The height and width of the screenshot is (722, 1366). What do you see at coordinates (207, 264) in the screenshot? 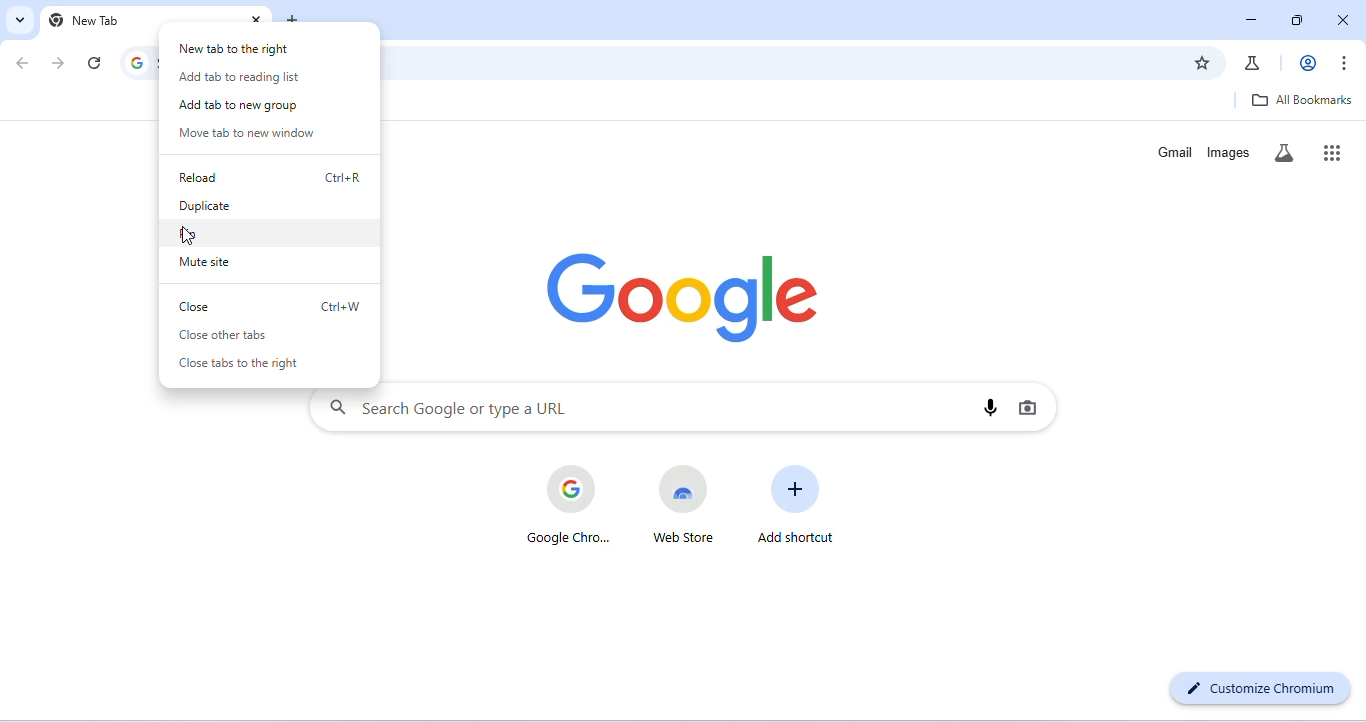
I see `mute site` at bounding box center [207, 264].